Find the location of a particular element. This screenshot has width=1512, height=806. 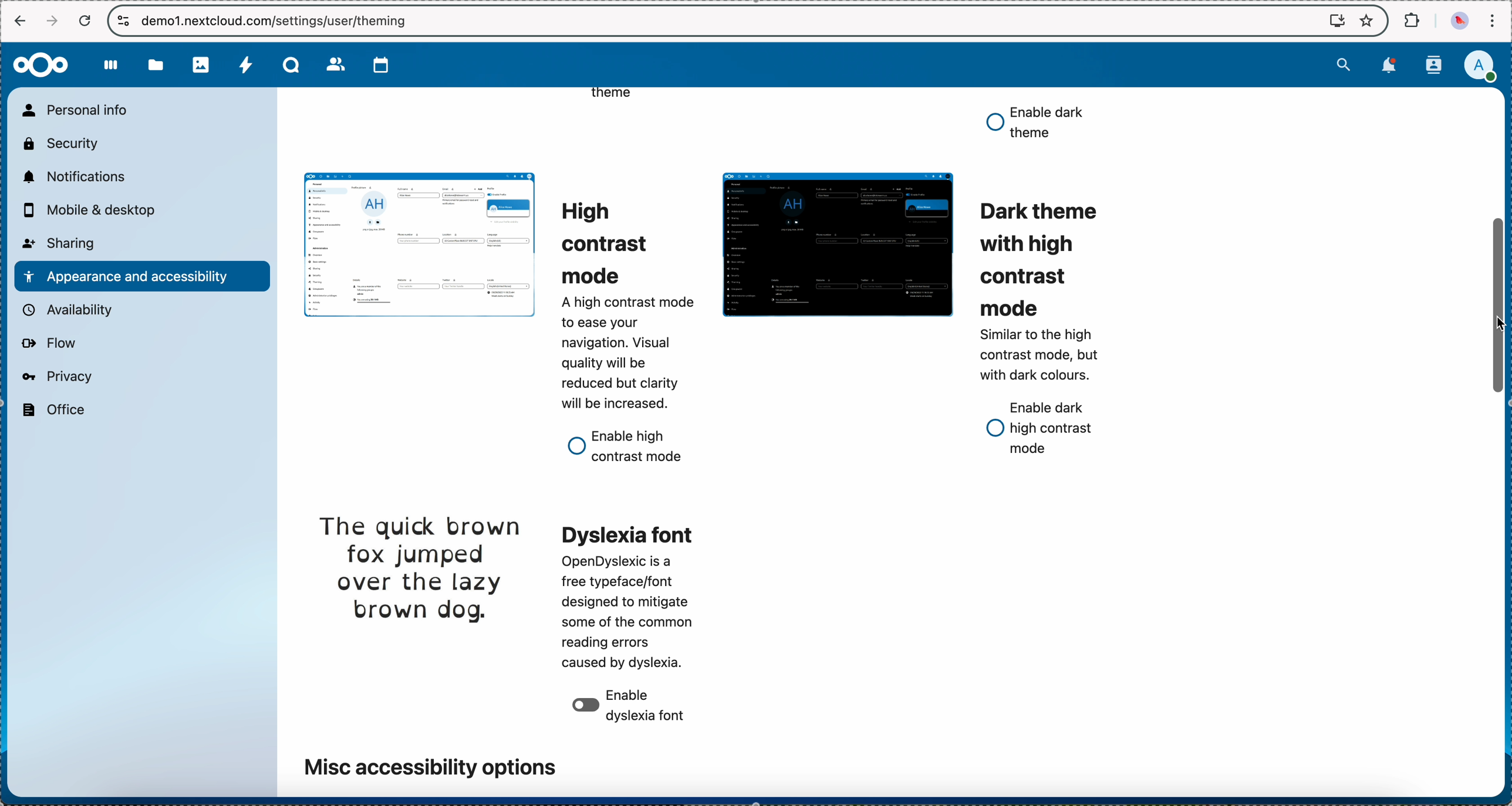

enable dark theme option is located at coordinates (1035, 123).